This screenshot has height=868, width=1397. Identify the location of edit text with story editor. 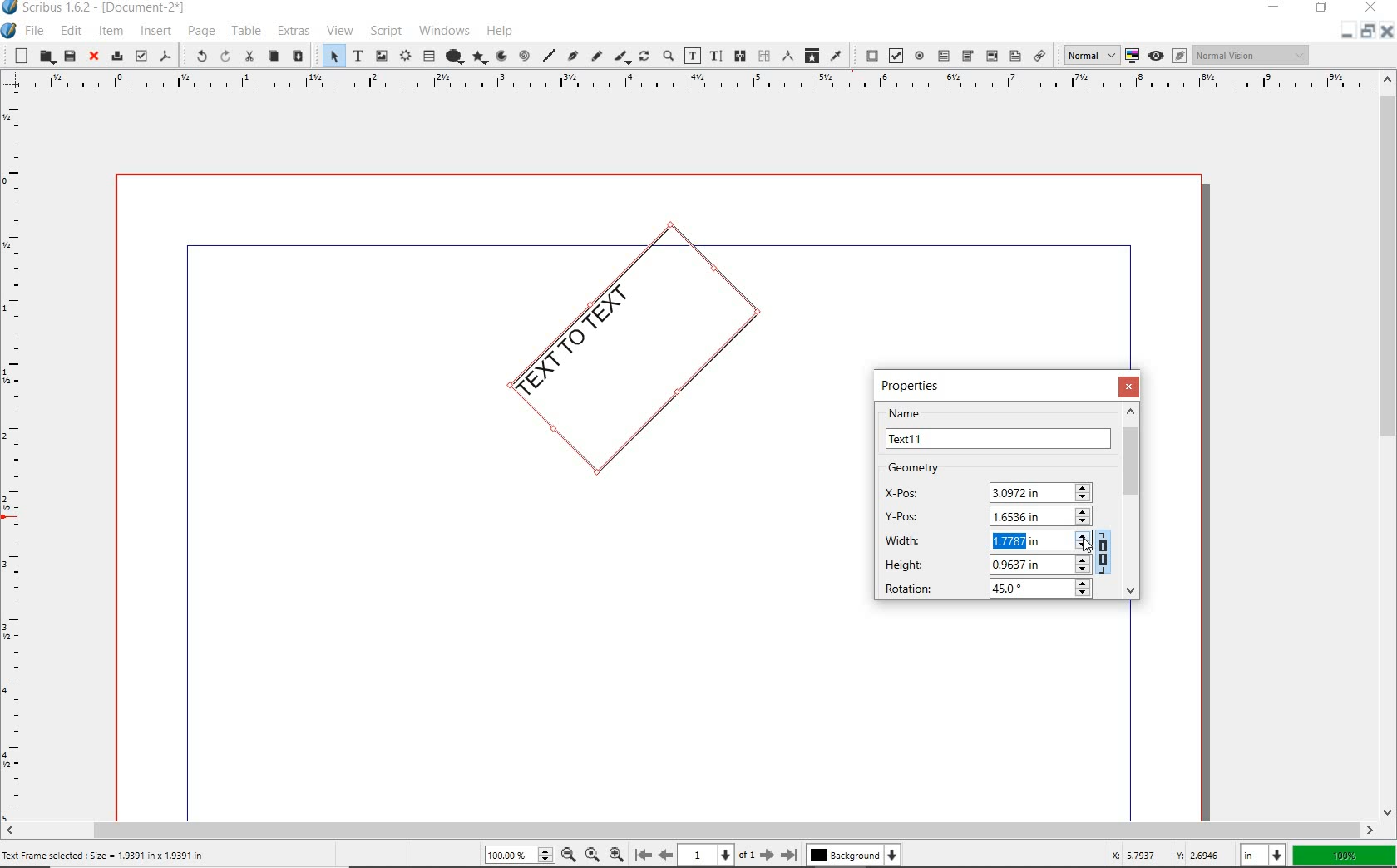
(716, 55).